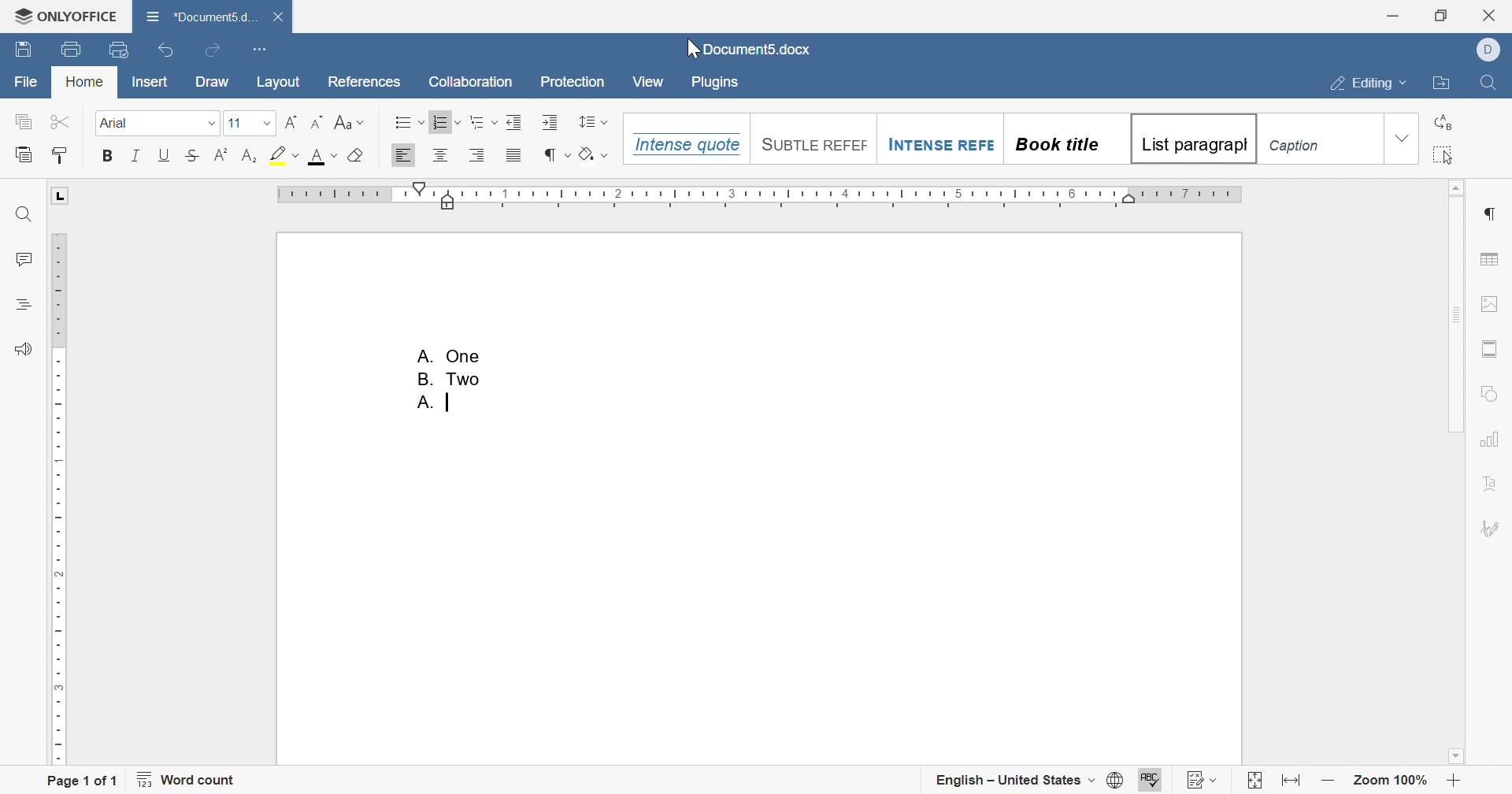 This screenshot has height=794, width=1512. Describe the element at coordinates (1445, 84) in the screenshot. I see `open file location` at that location.